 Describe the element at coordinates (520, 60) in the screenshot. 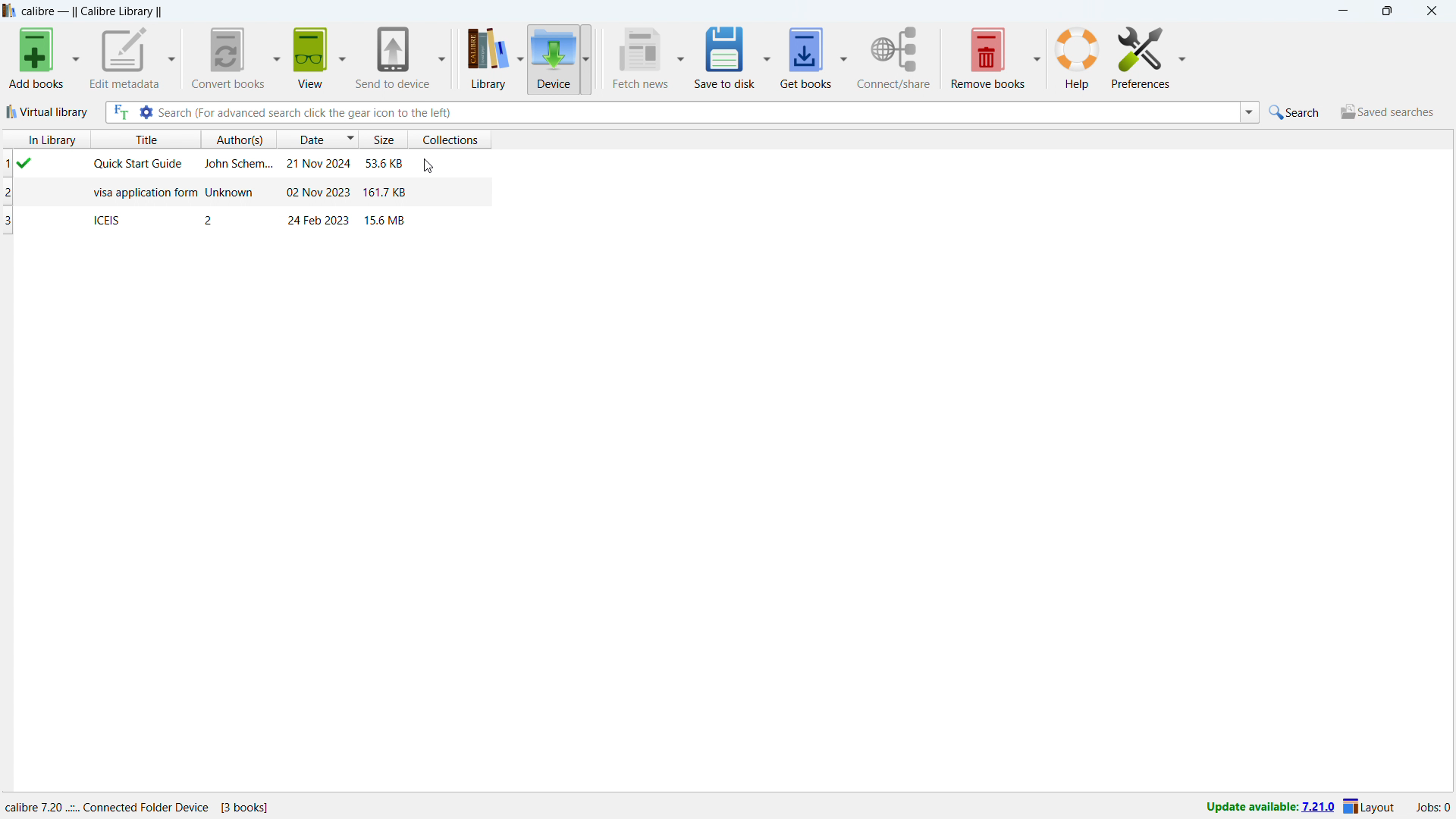

I see `library options` at that location.